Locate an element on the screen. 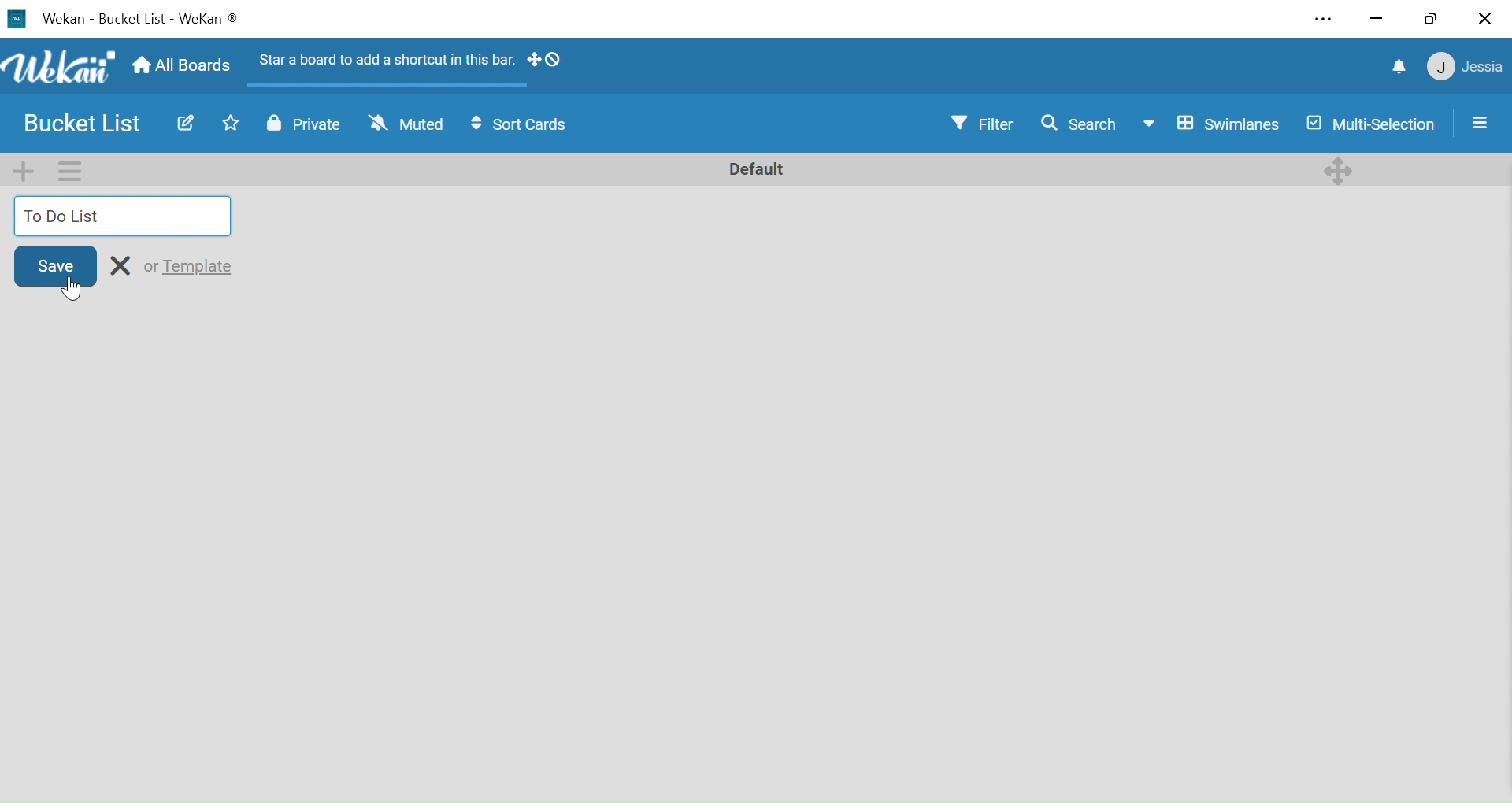 This screenshot has width=1512, height=803. Board view is located at coordinates (1211, 124).